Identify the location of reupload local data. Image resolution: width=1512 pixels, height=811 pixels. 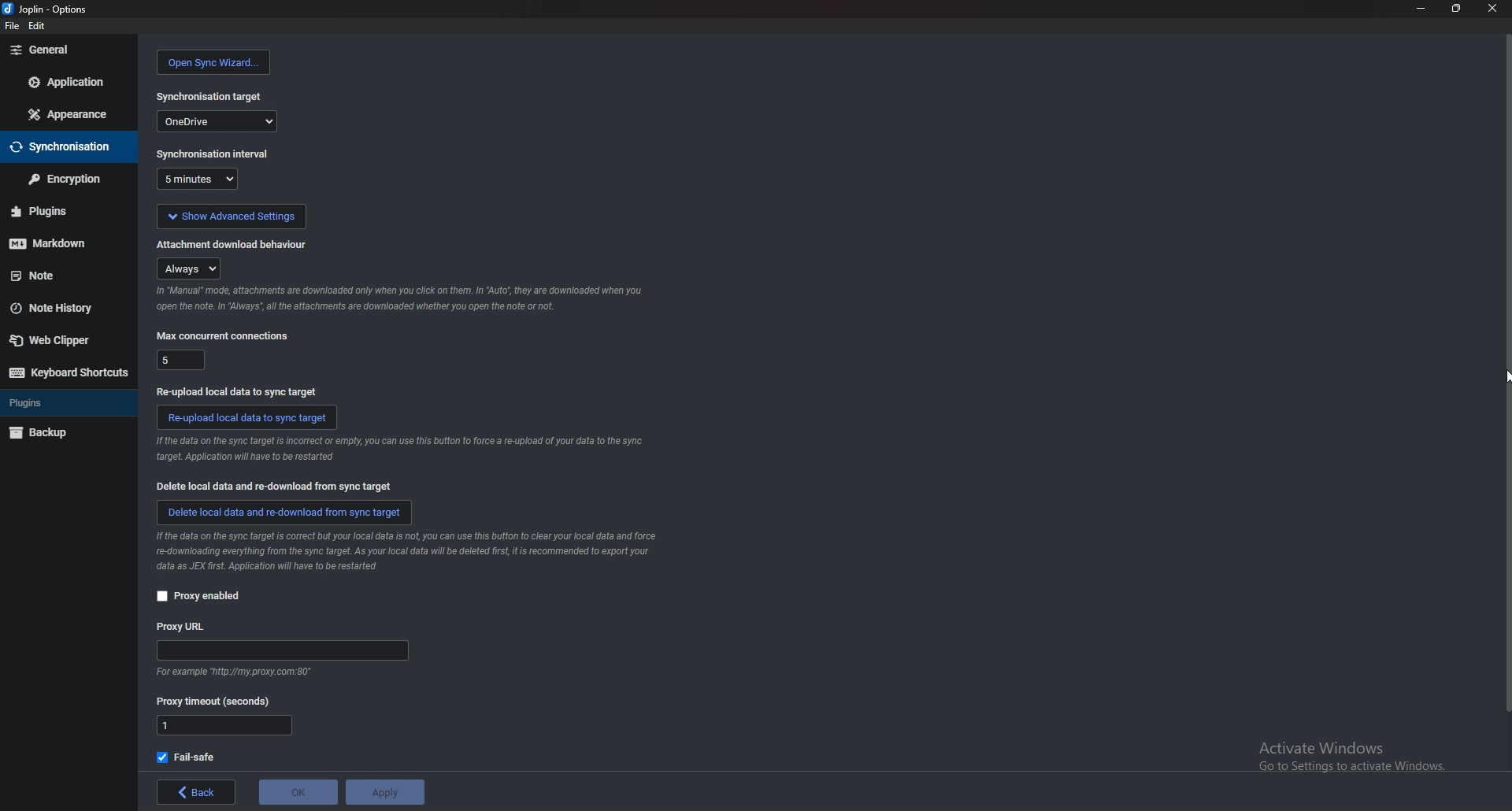
(248, 417).